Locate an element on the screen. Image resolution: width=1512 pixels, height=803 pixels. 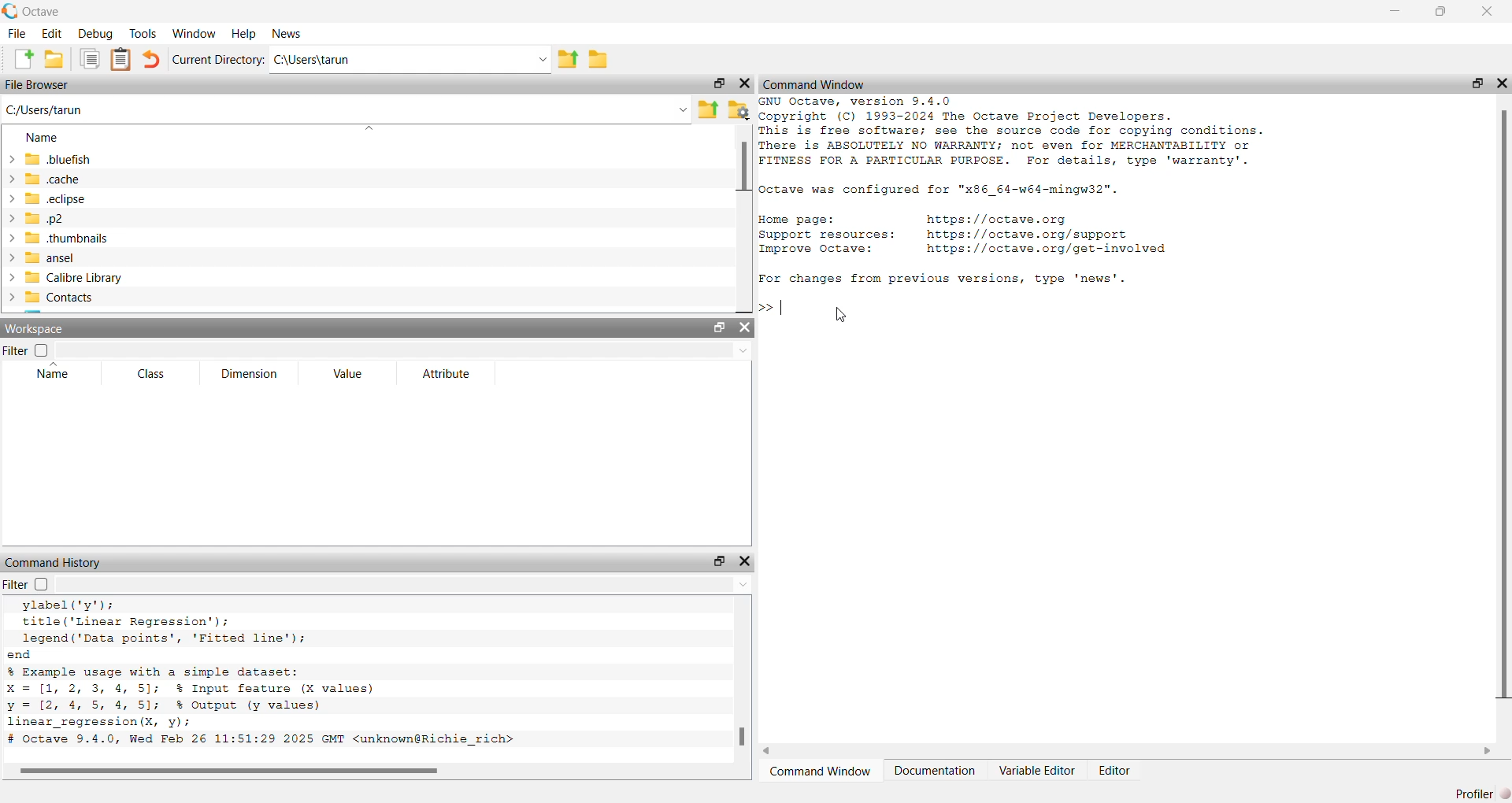
move right is located at coordinates (1490, 751).